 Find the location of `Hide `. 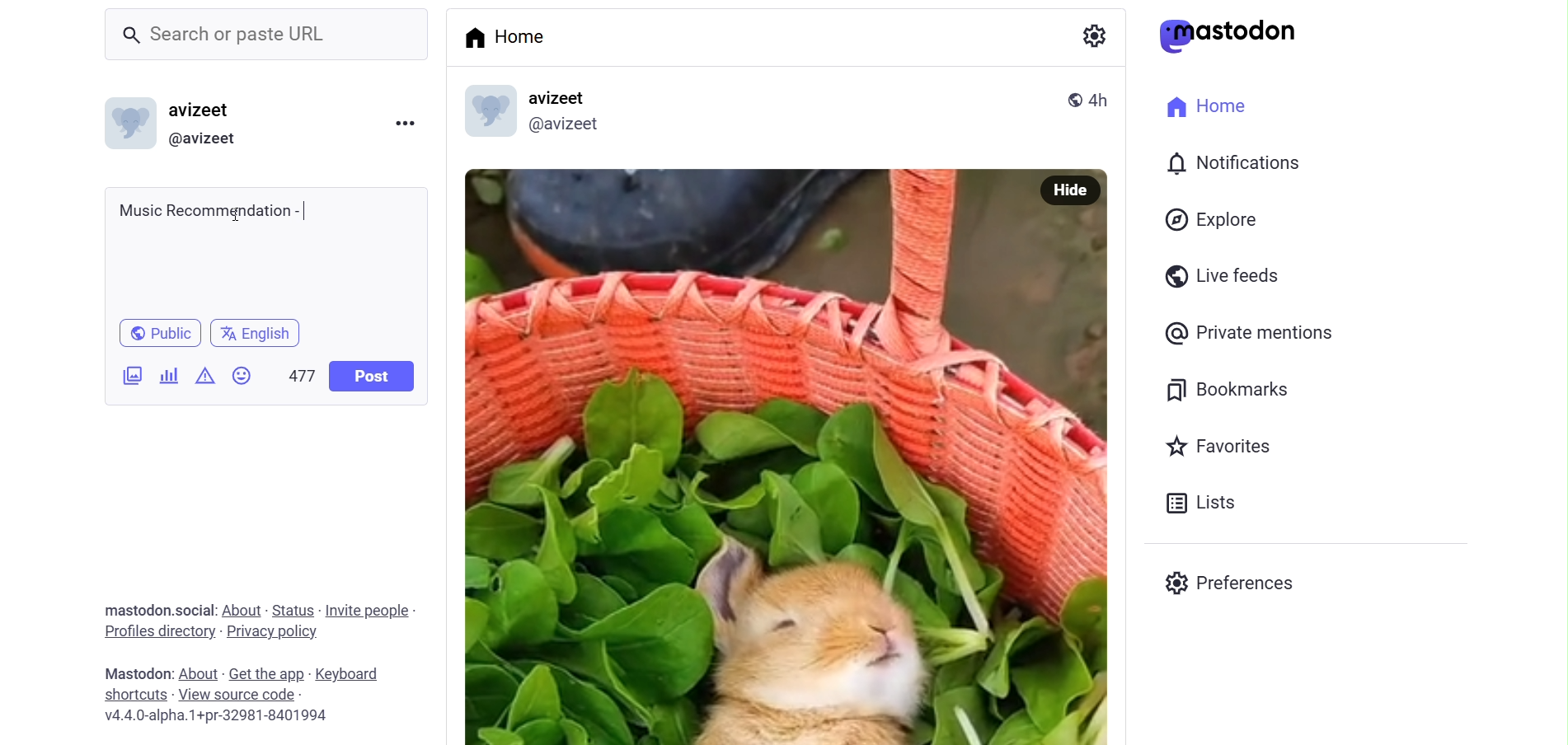

Hide  is located at coordinates (1069, 189).